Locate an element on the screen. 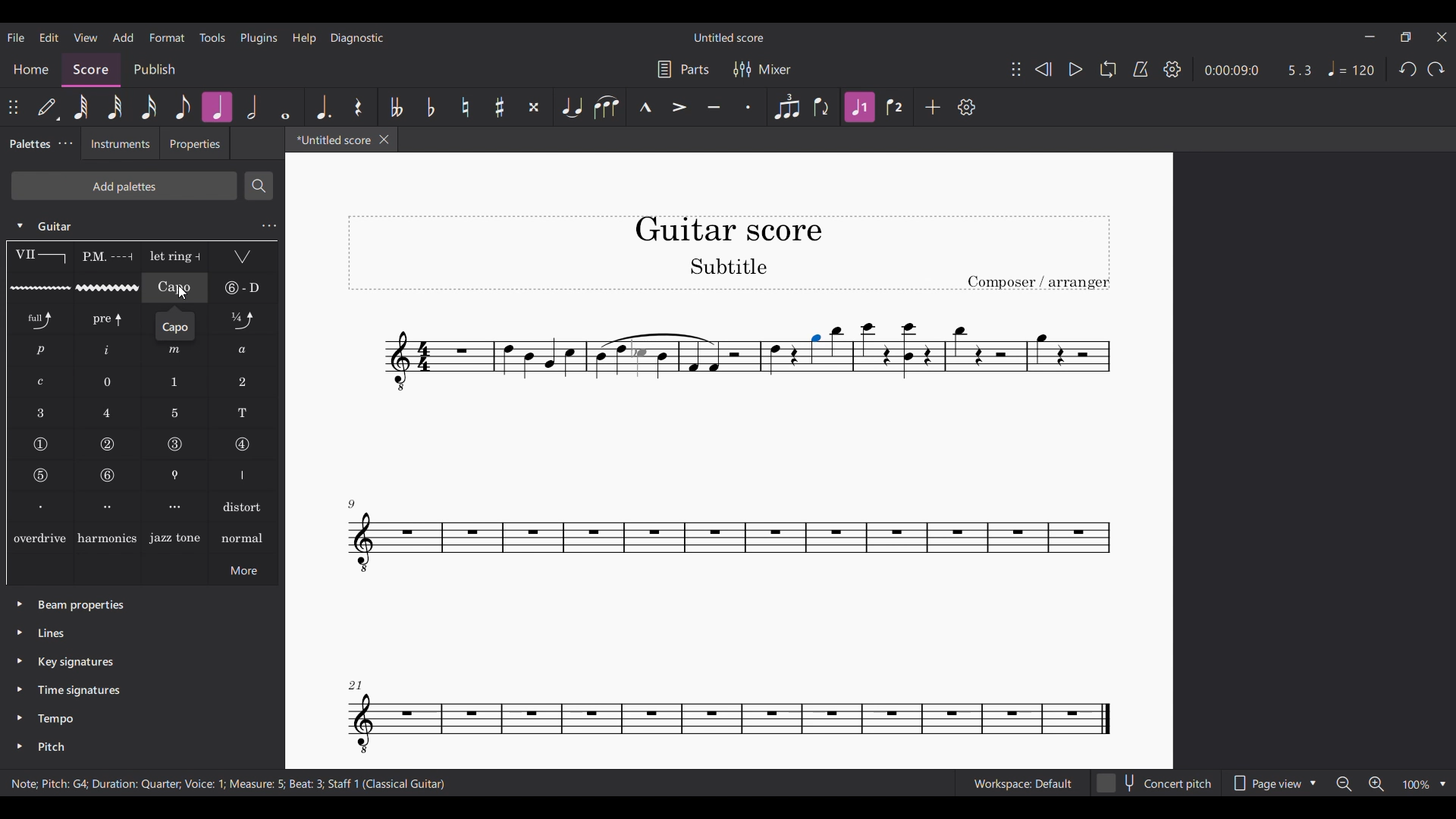  Current workspace setting is located at coordinates (1022, 783).